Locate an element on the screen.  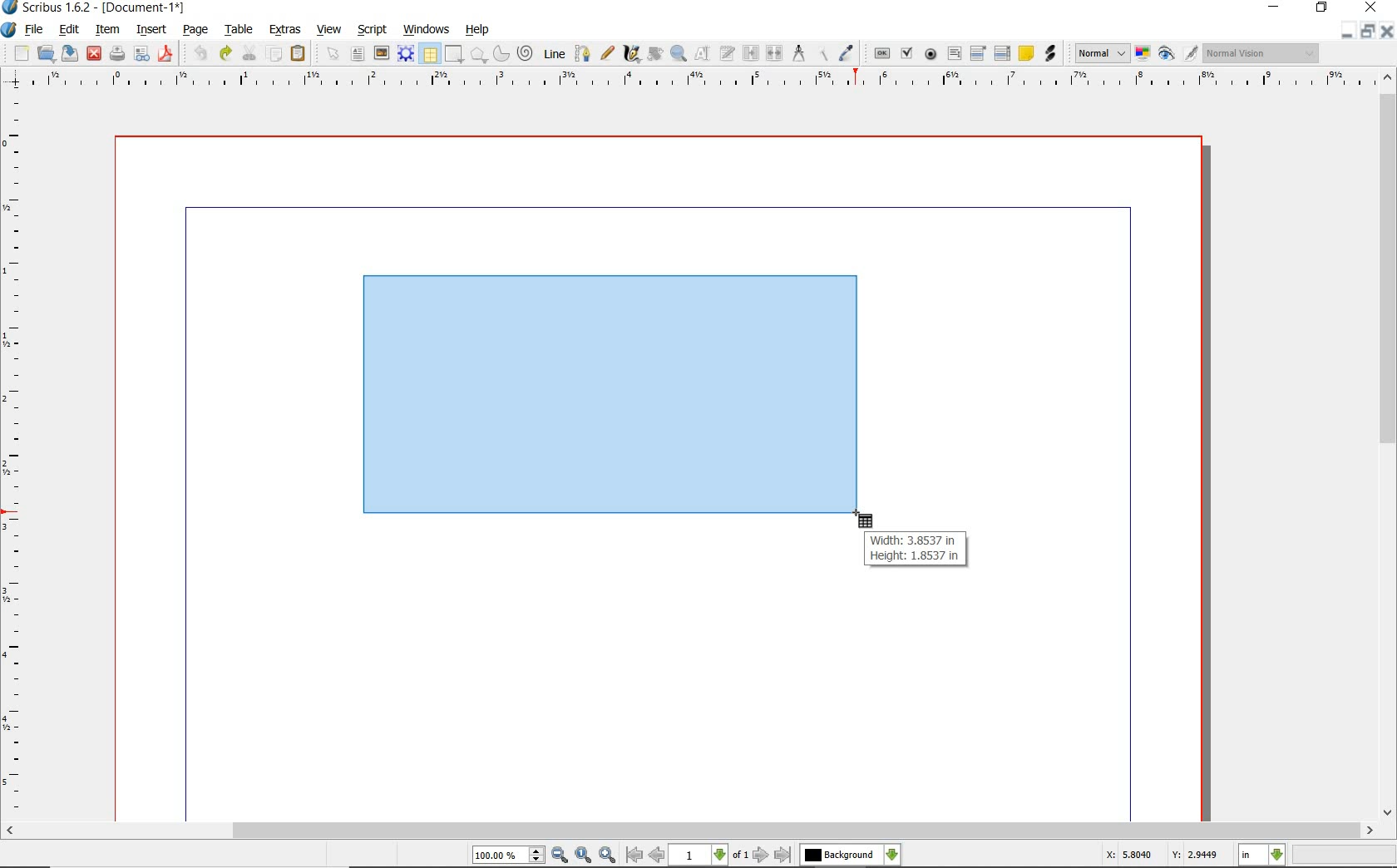
open is located at coordinates (47, 54).